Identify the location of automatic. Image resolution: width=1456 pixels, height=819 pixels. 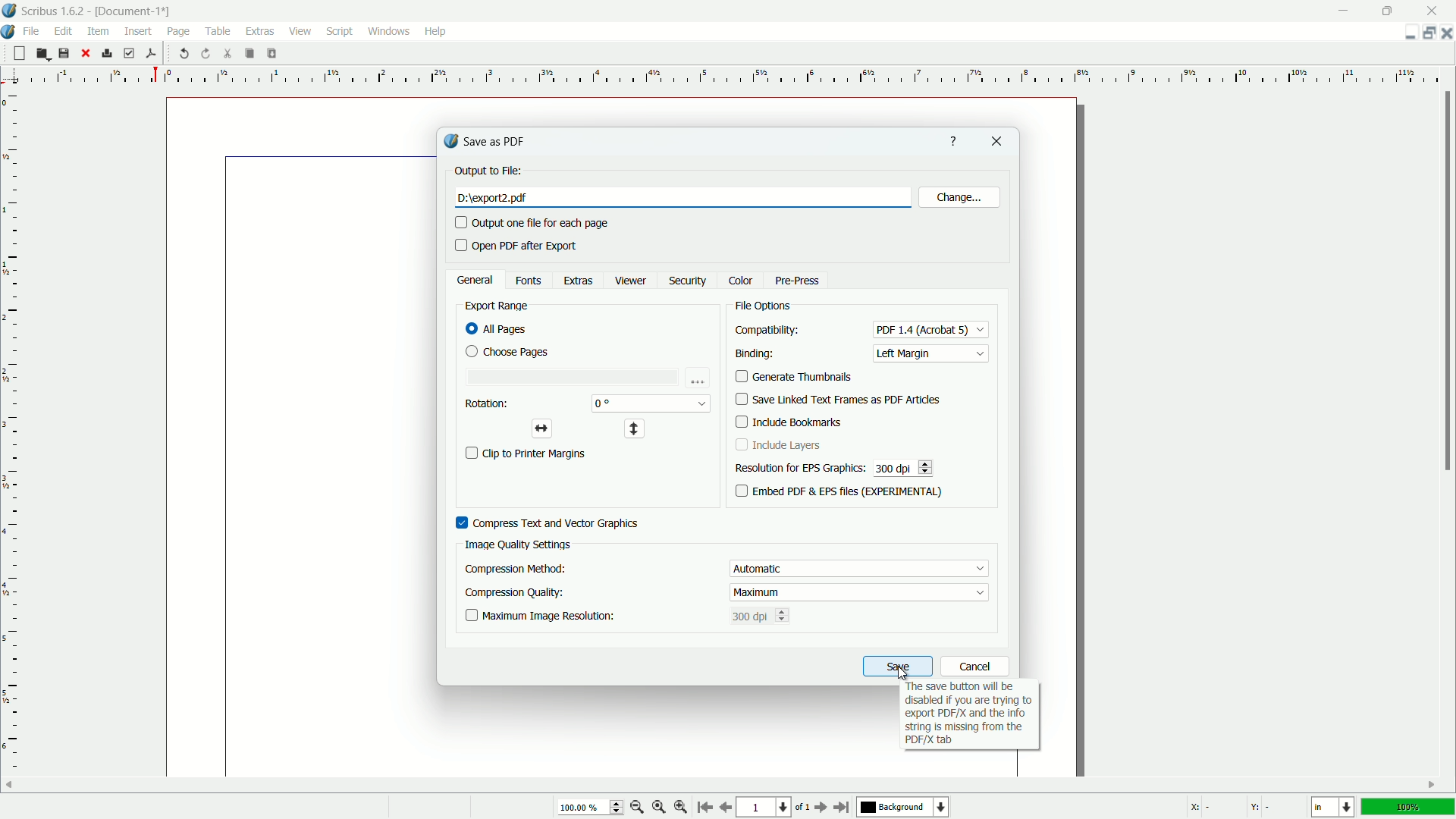
(757, 570).